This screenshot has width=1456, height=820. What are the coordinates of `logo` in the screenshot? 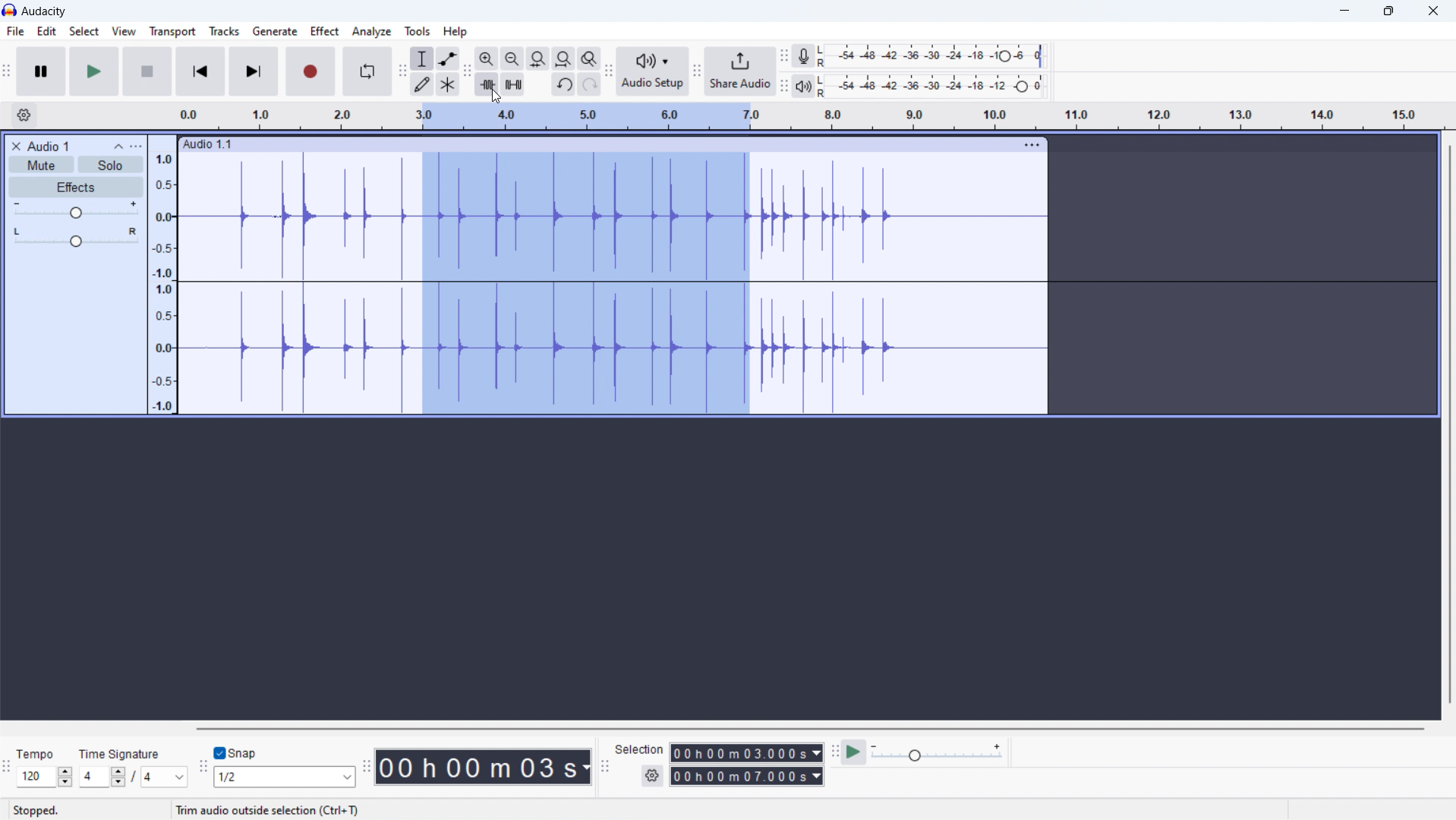 It's located at (9, 10).